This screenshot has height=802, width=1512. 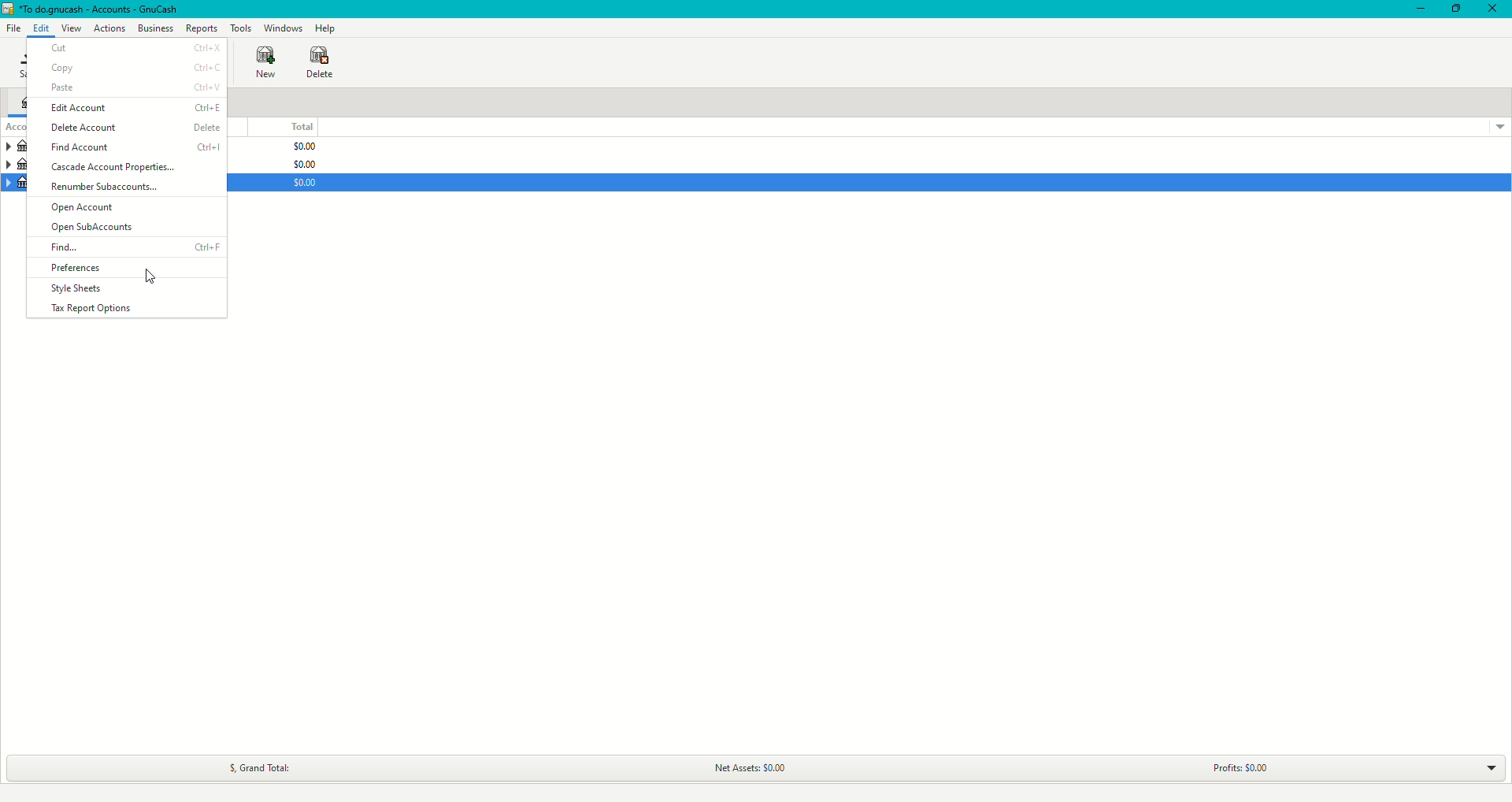 I want to click on Profits, so click(x=1236, y=769).